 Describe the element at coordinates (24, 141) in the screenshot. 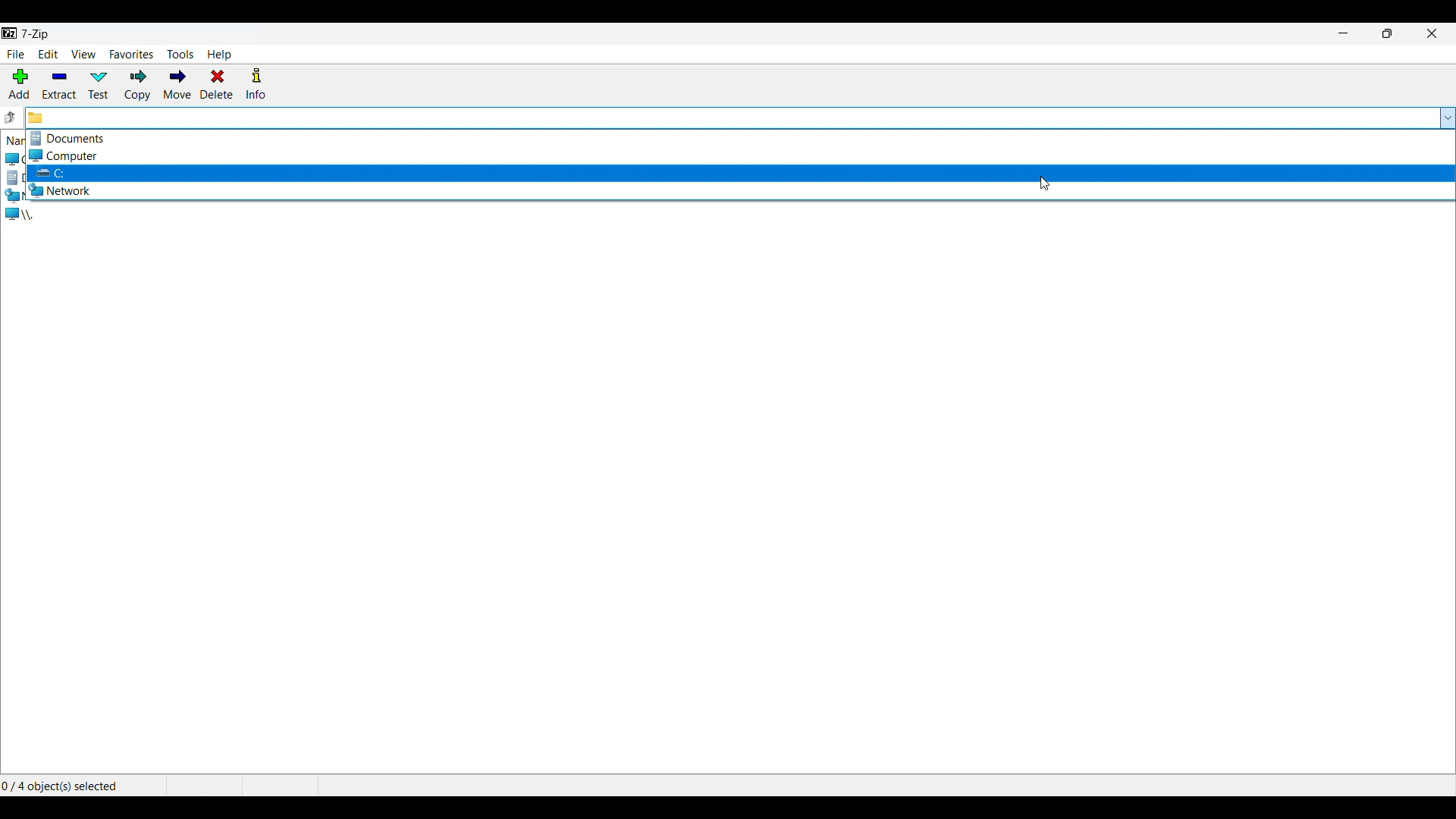

I see `Indicates list of loaction below` at that location.